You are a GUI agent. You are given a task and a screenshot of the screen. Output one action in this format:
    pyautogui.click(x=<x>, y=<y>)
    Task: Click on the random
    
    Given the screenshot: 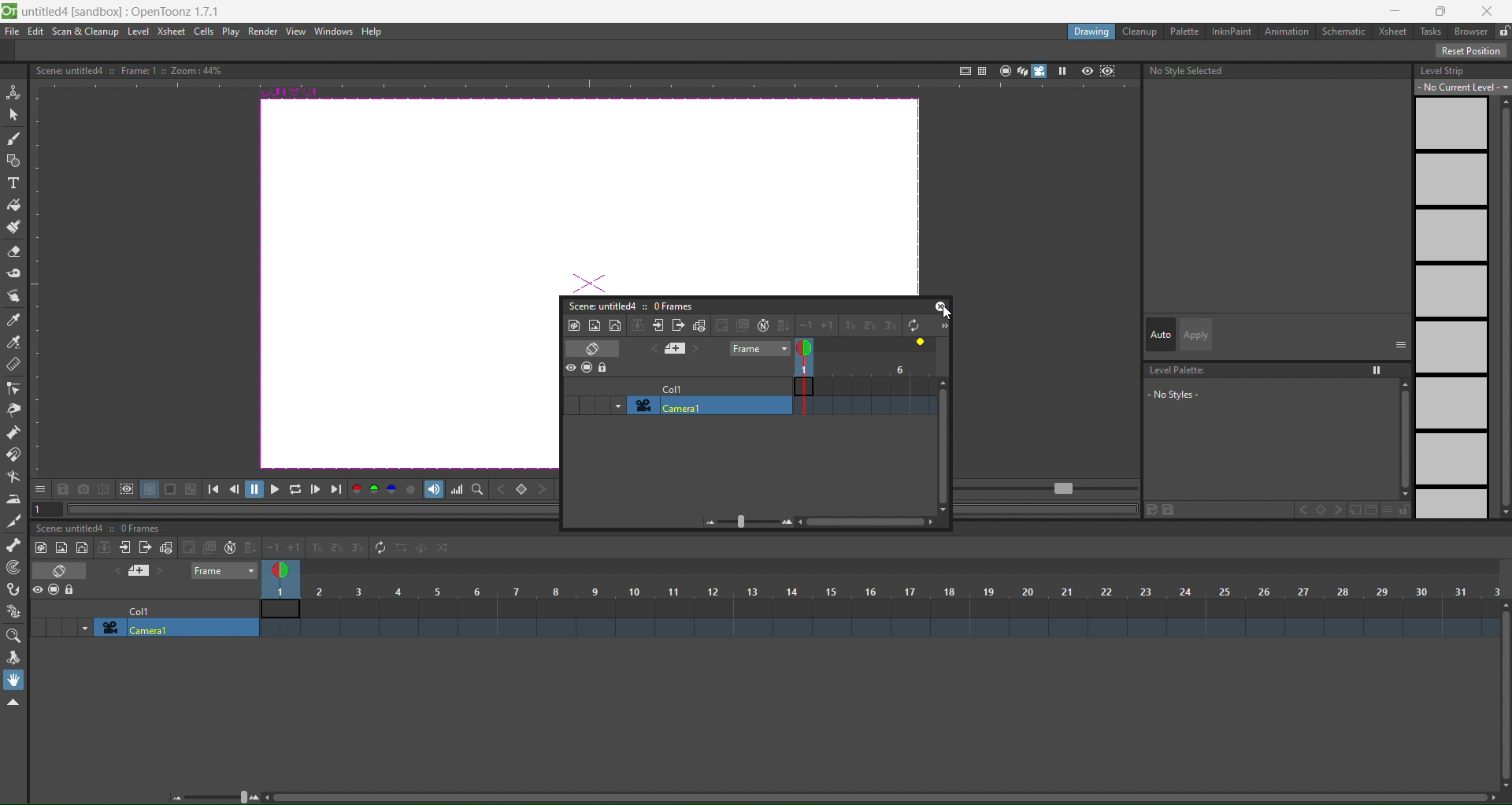 What is the action you would take?
    pyautogui.click(x=444, y=548)
    